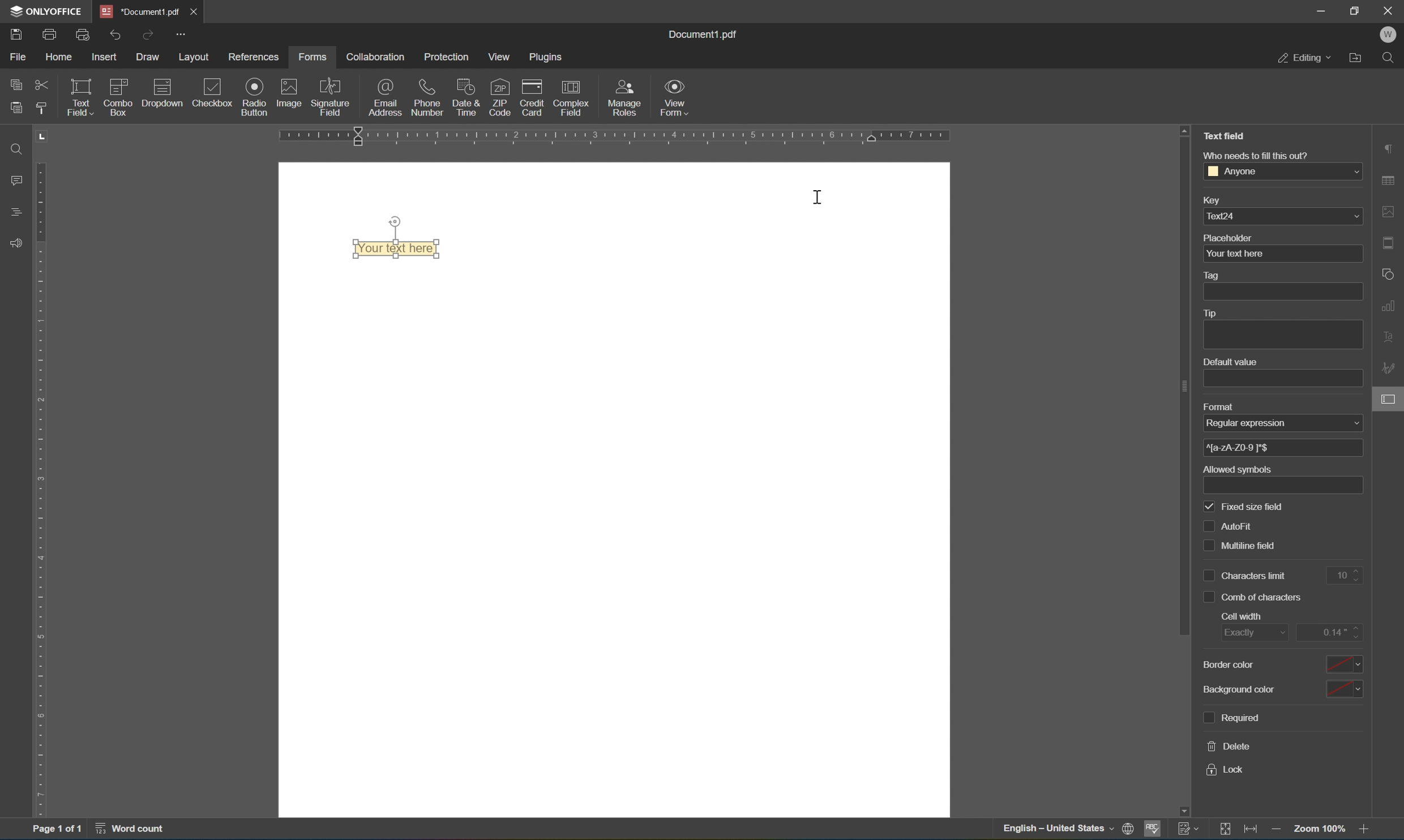 Image resolution: width=1404 pixels, height=840 pixels. Describe the element at coordinates (14, 180) in the screenshot. I see `comment` at that location.